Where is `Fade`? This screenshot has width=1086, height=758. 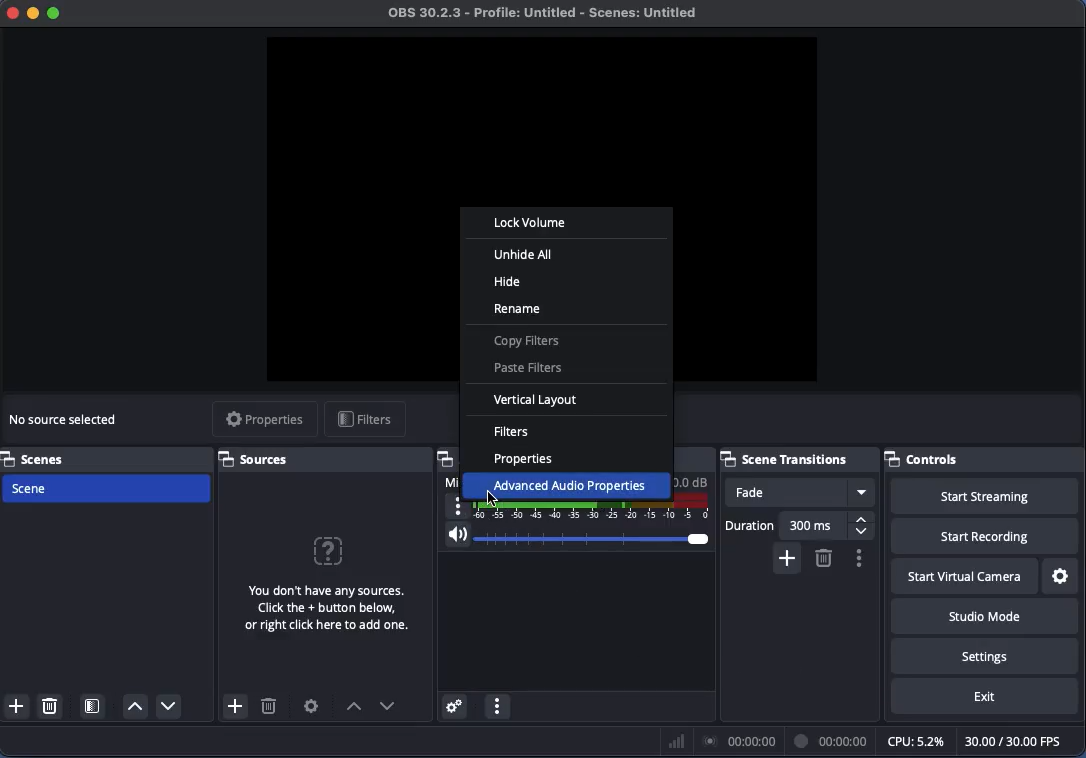
Fade is located at coordinates (800, 492).